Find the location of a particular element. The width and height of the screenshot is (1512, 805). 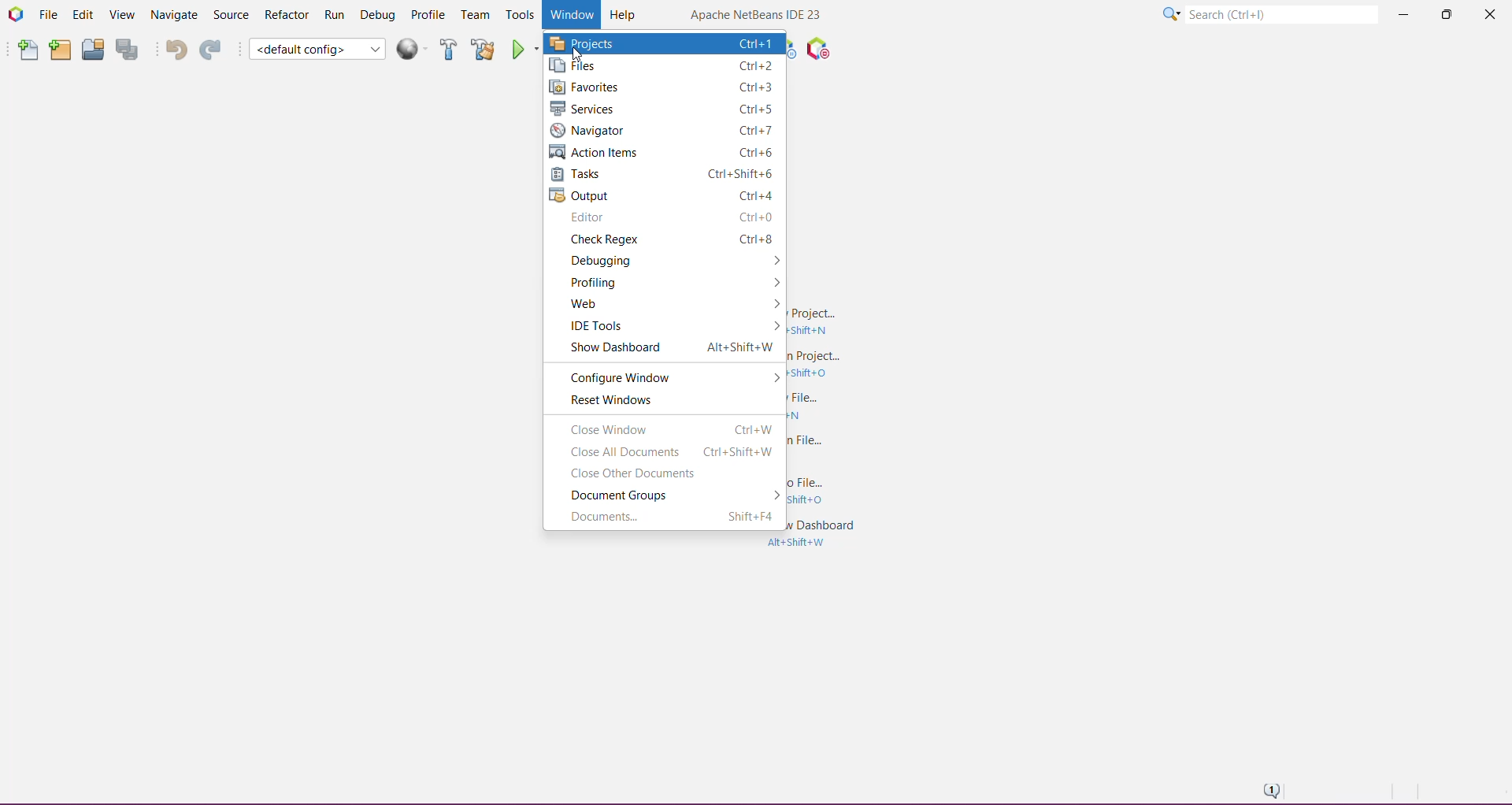

Configure Window is located at coordinates (627, 376).